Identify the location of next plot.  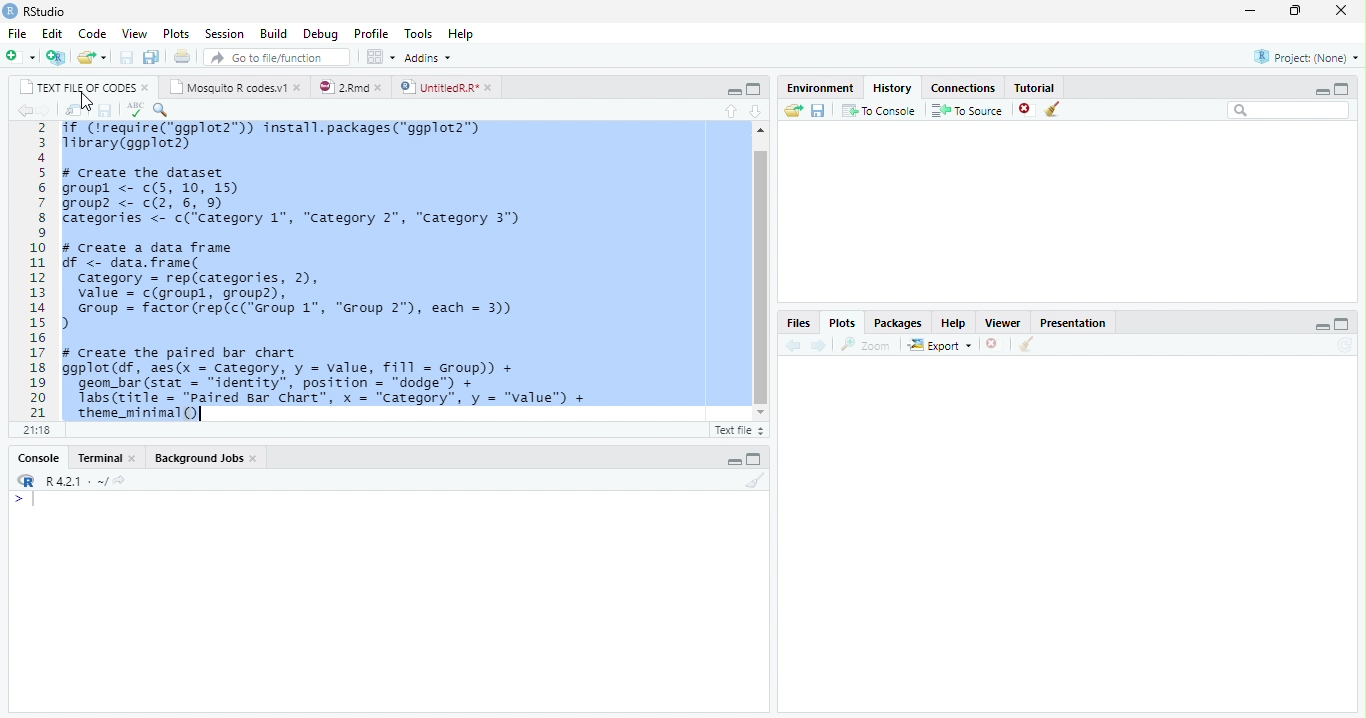
(822, 345).